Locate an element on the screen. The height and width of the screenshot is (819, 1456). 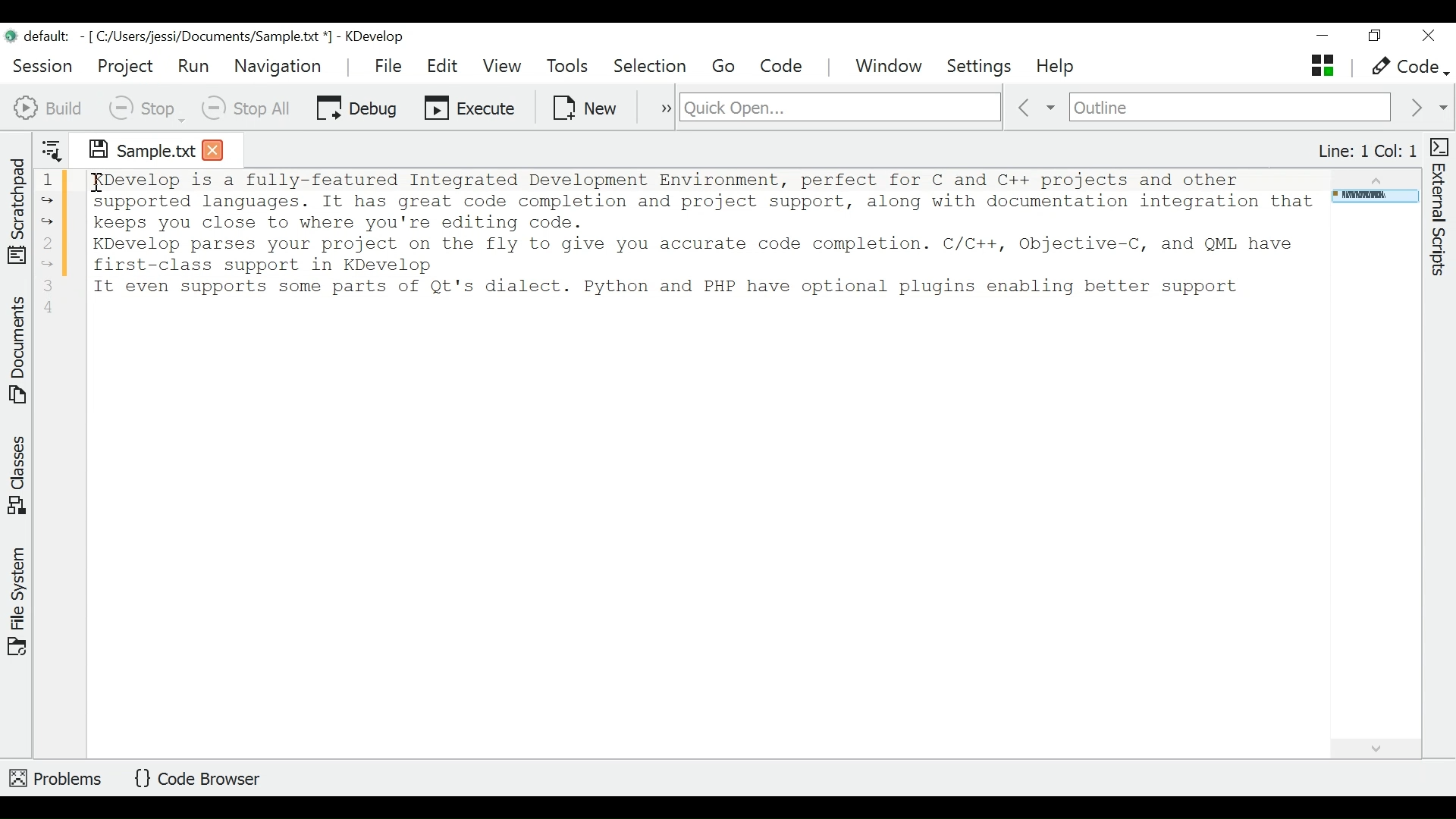
Scroll down  is located at coordinates (1373, 748).